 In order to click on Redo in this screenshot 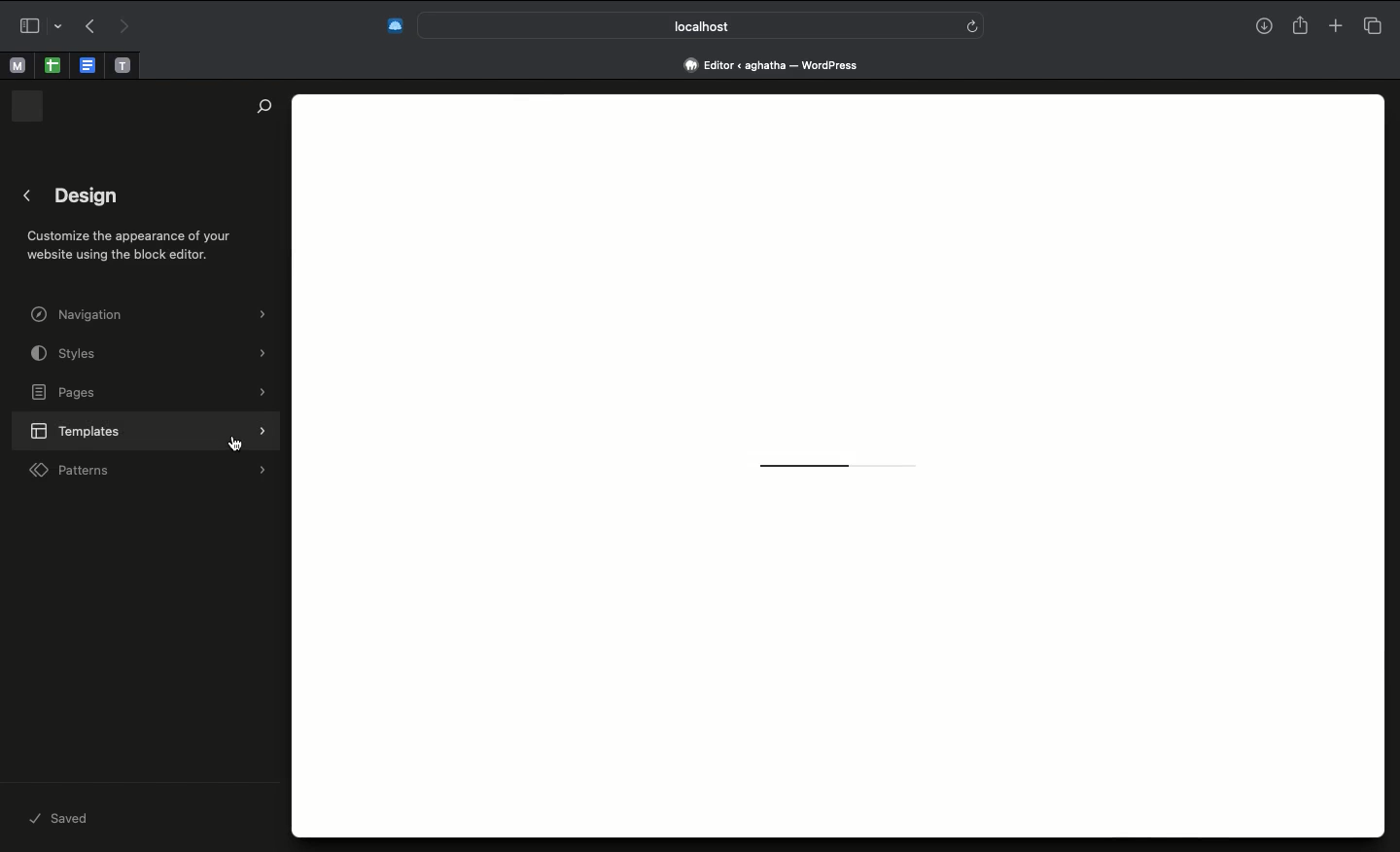, I will do `click(122, 27)`.